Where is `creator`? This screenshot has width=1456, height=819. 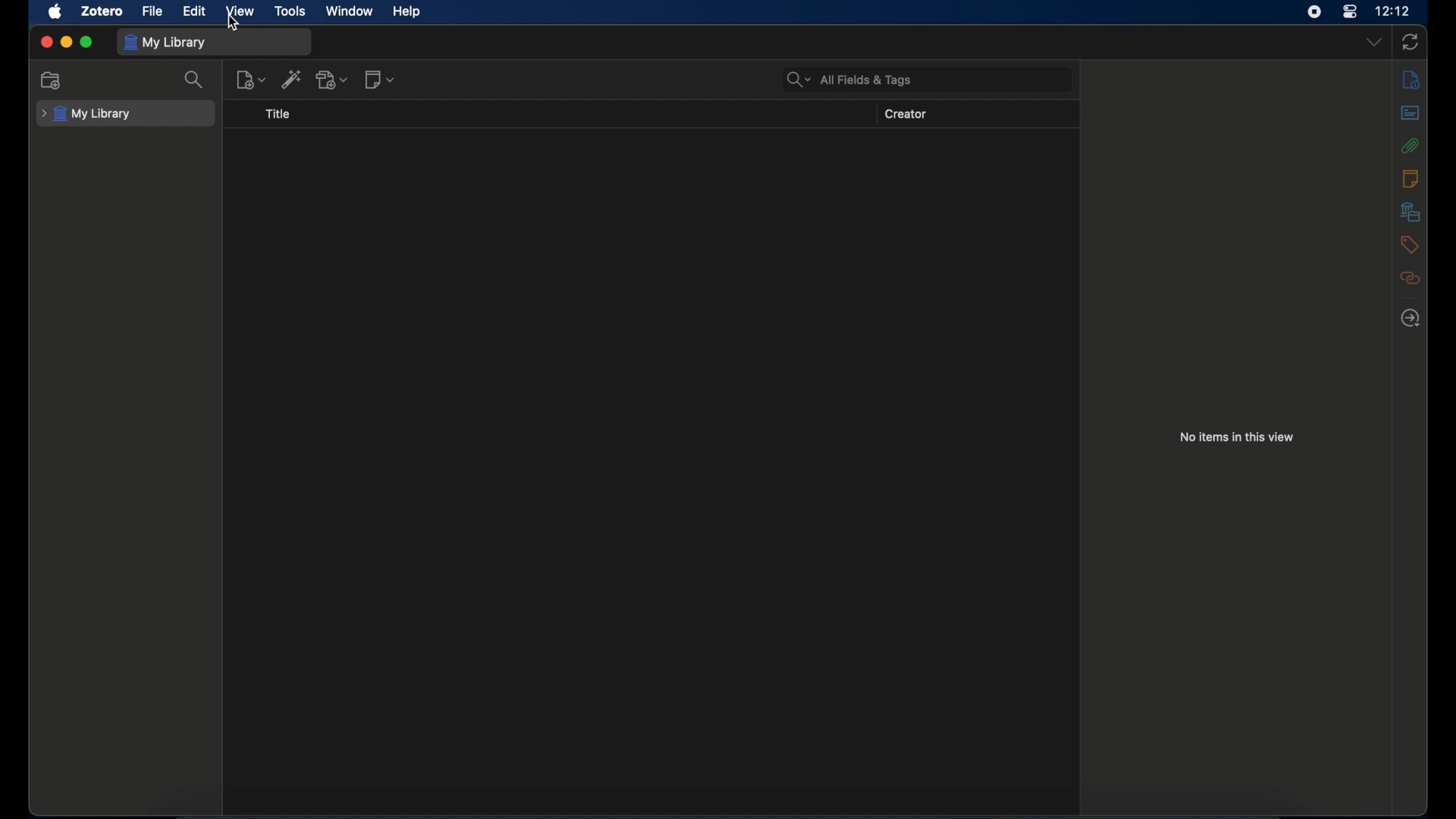
creator is located at coordinates (906, 115).